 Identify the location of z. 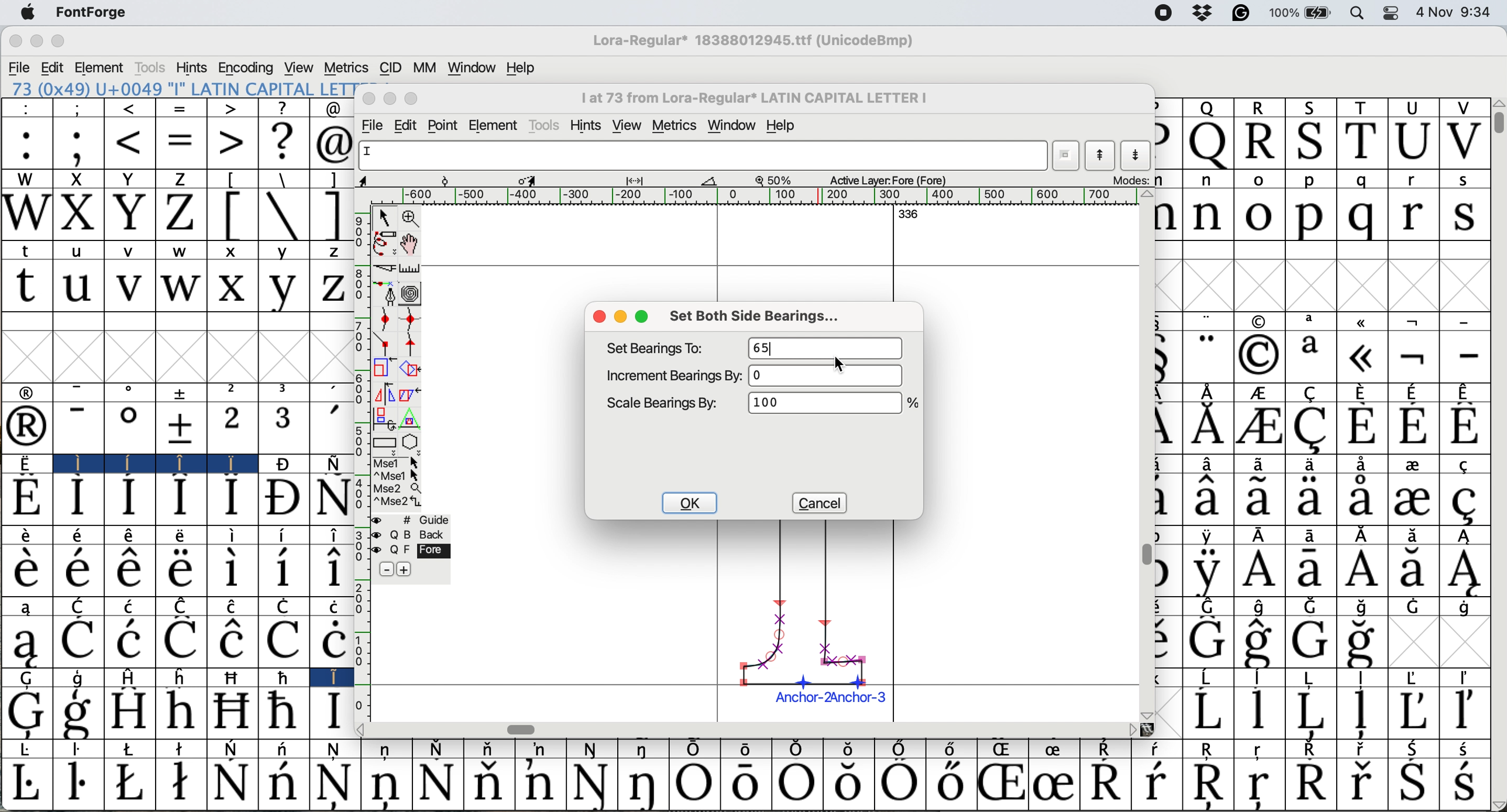
(330, 253).